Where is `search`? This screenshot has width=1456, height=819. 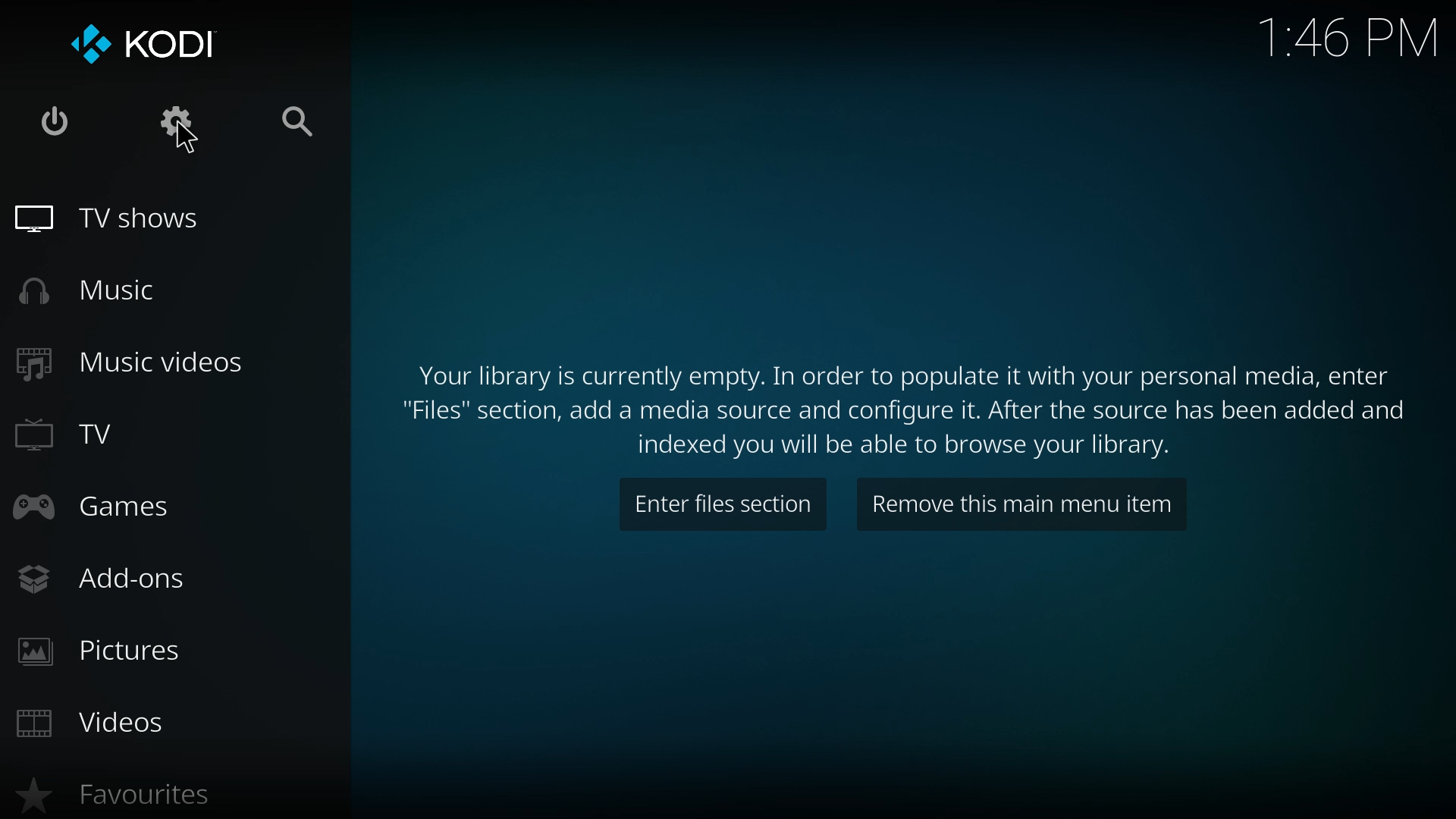 search is located at coordinates (297, 122).